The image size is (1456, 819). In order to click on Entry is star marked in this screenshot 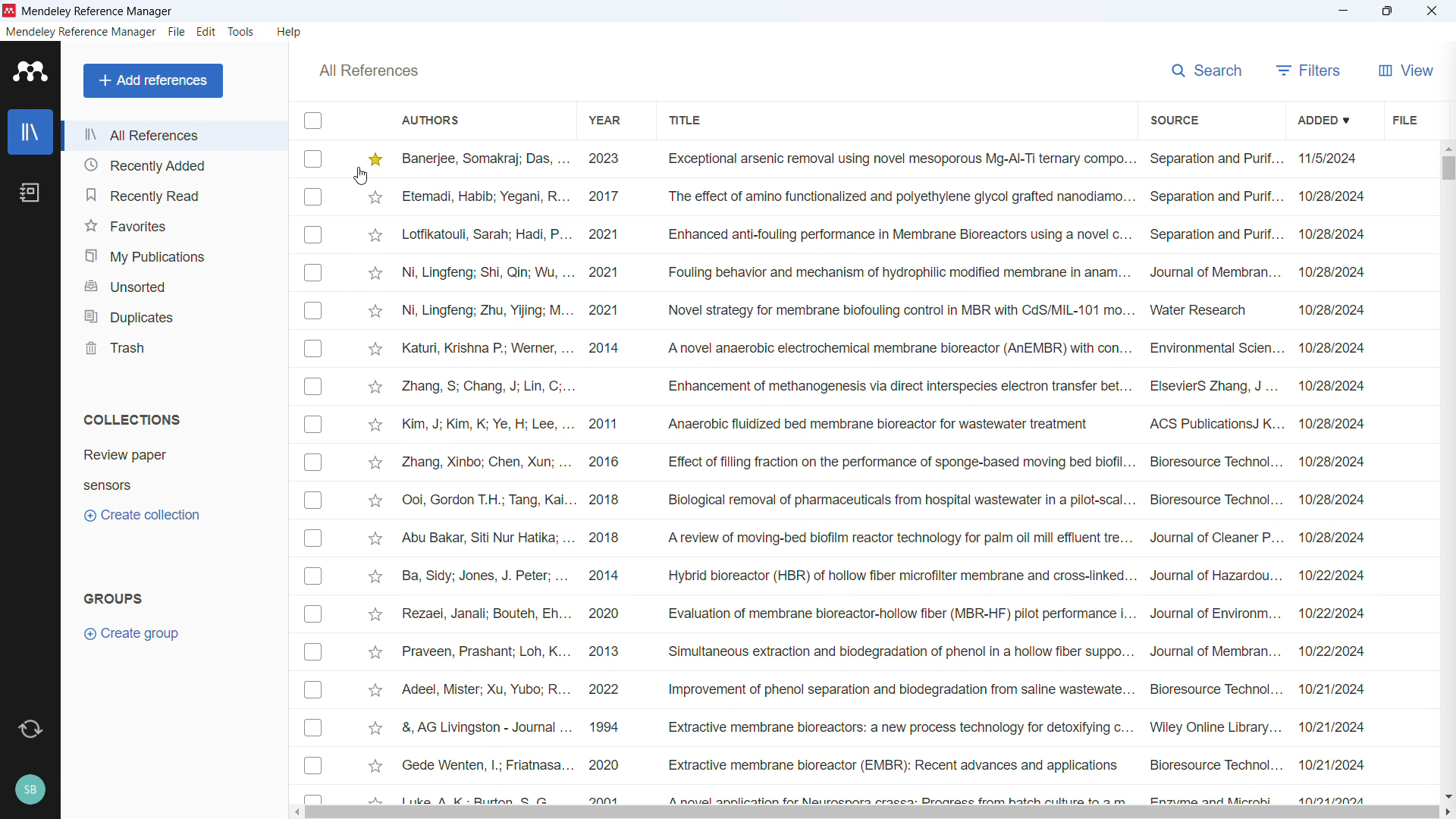, I will do `click(376, 161)`.